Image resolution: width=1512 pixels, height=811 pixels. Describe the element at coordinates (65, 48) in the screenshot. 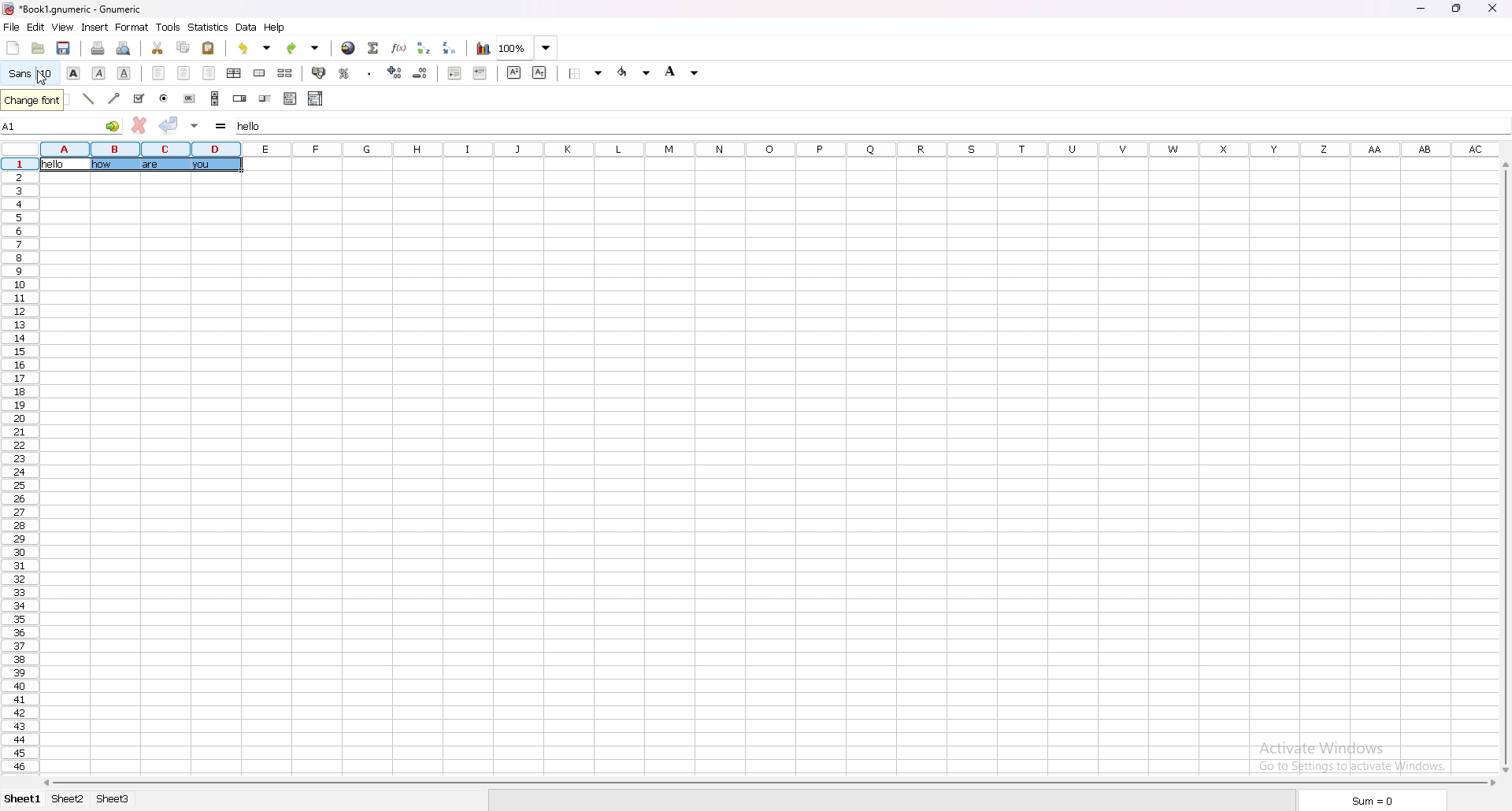

I see `save` at that location.